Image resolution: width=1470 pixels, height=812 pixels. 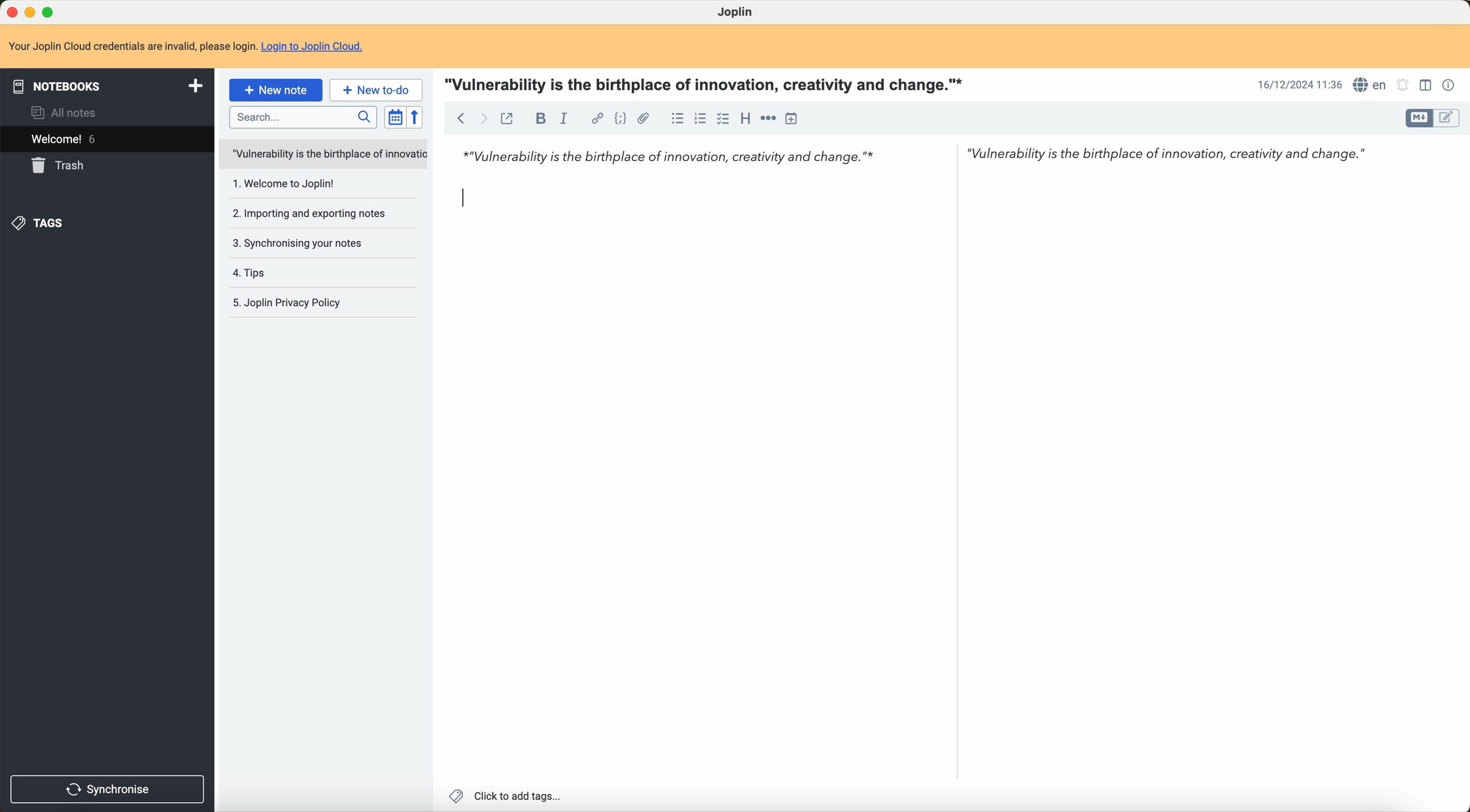 What do you see at coordinates (276, 90) in the screenshot?
I see `new note` at bounding box center [276, 90].